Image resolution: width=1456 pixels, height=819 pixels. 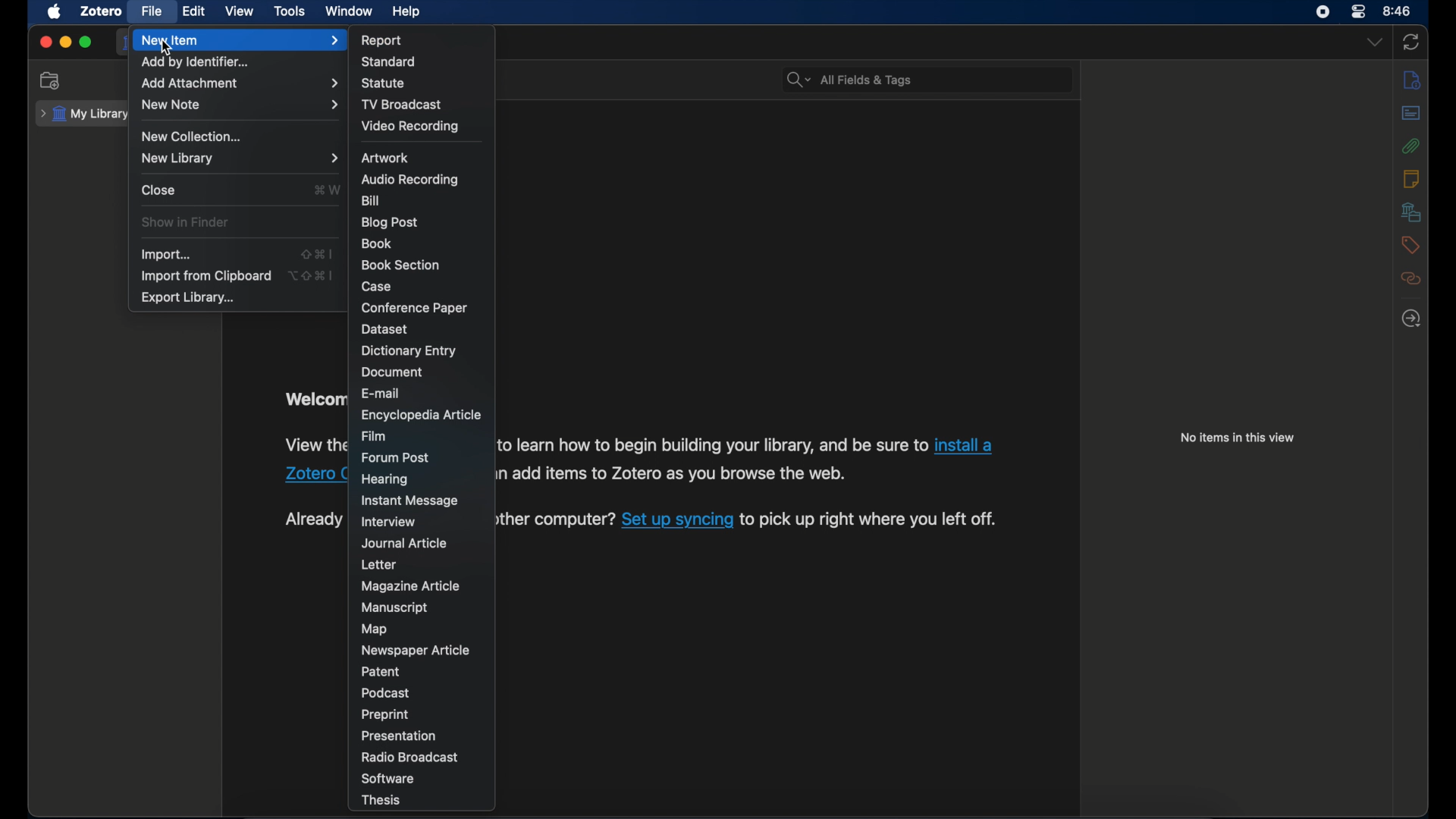 What do you see at coordinates (409, 125) in the screenshot?
I see `video recording` at bounding box center [409, 125].